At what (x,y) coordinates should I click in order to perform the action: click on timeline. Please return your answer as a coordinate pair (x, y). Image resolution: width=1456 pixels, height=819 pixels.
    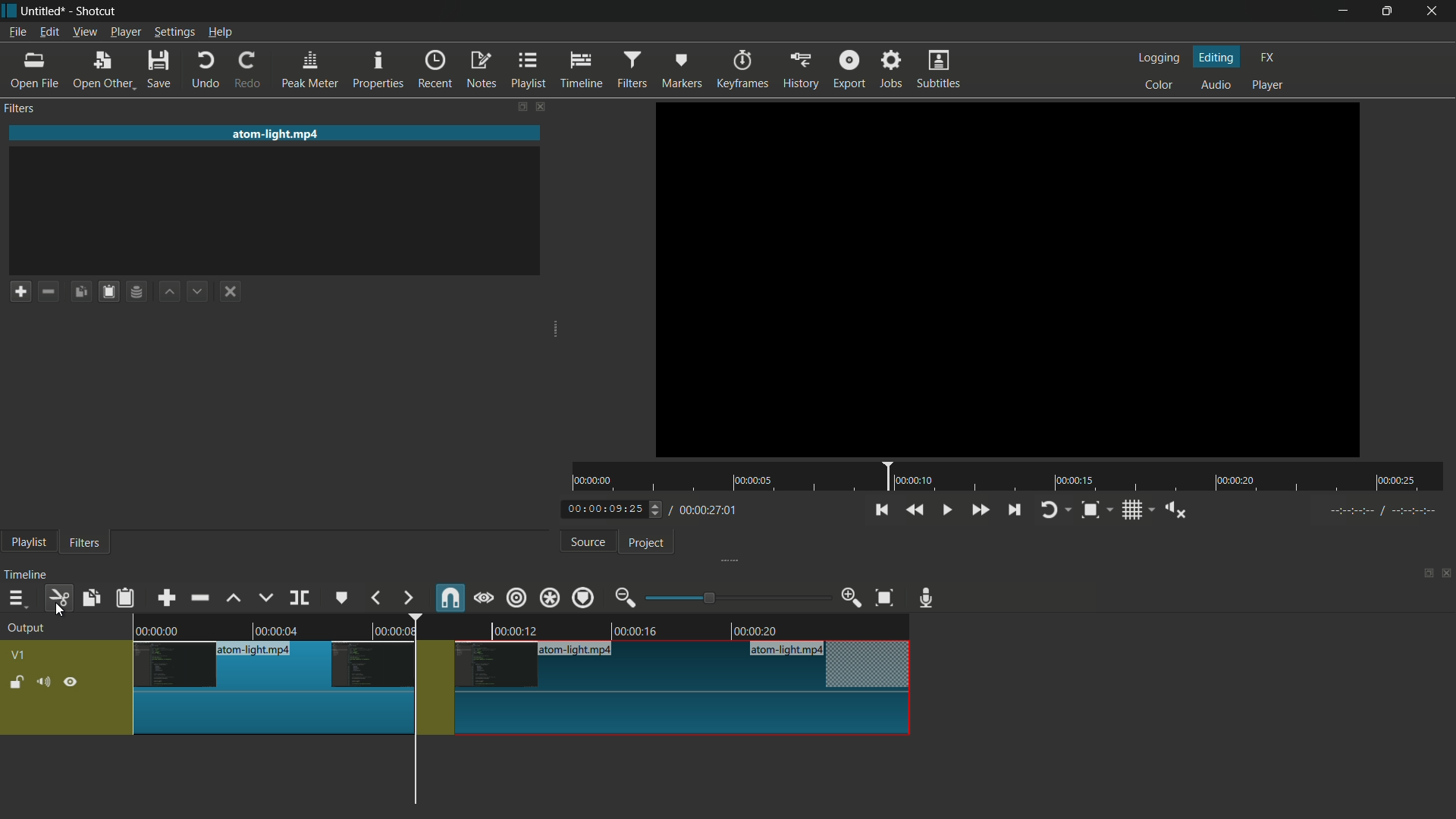
    Looking at the image, I should click on (28, 575).